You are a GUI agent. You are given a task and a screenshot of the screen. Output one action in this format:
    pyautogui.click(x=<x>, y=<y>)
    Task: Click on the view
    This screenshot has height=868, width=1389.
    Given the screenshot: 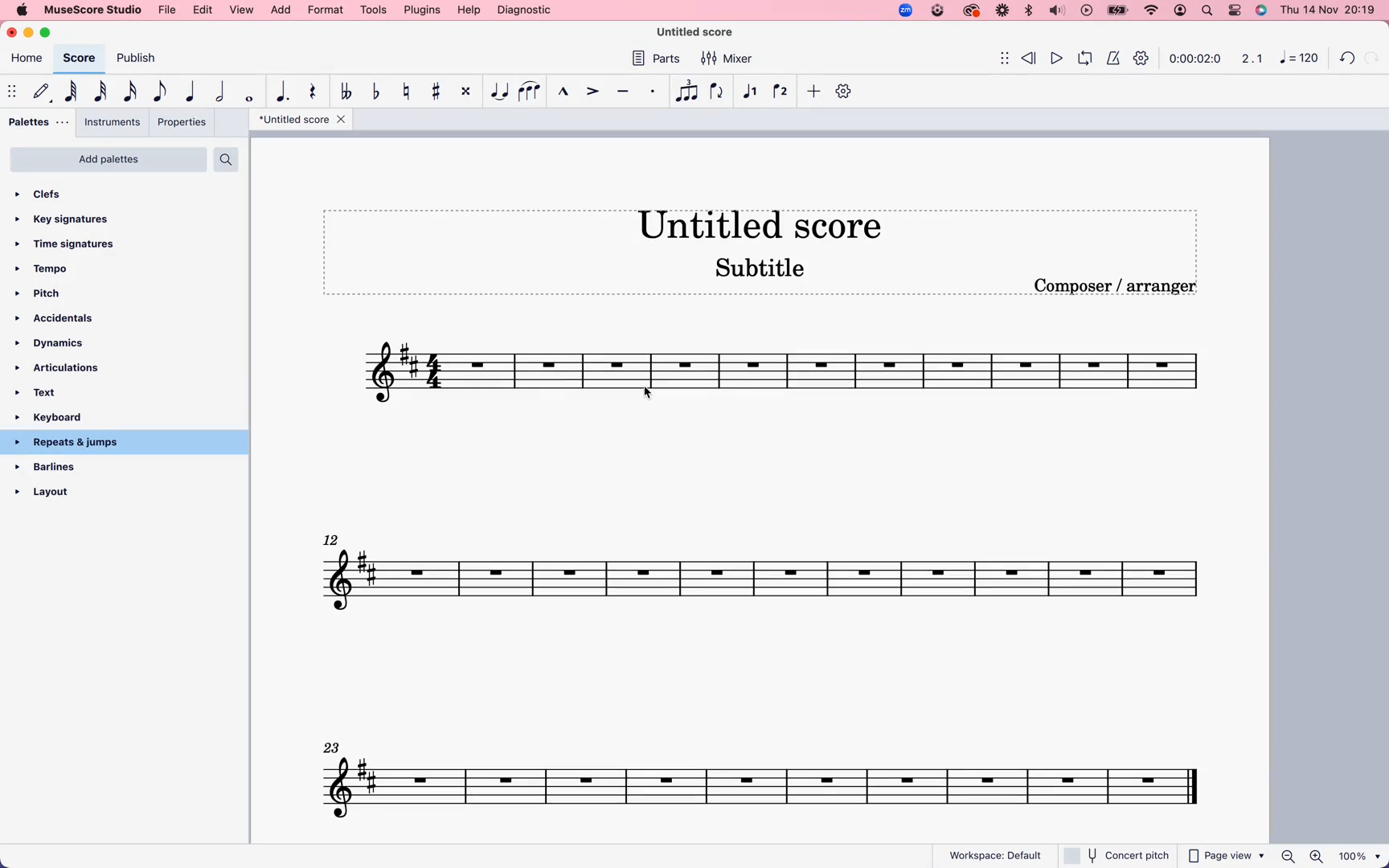 What is the action you would take?
    pyautogui.click(x=243, y=10)
    